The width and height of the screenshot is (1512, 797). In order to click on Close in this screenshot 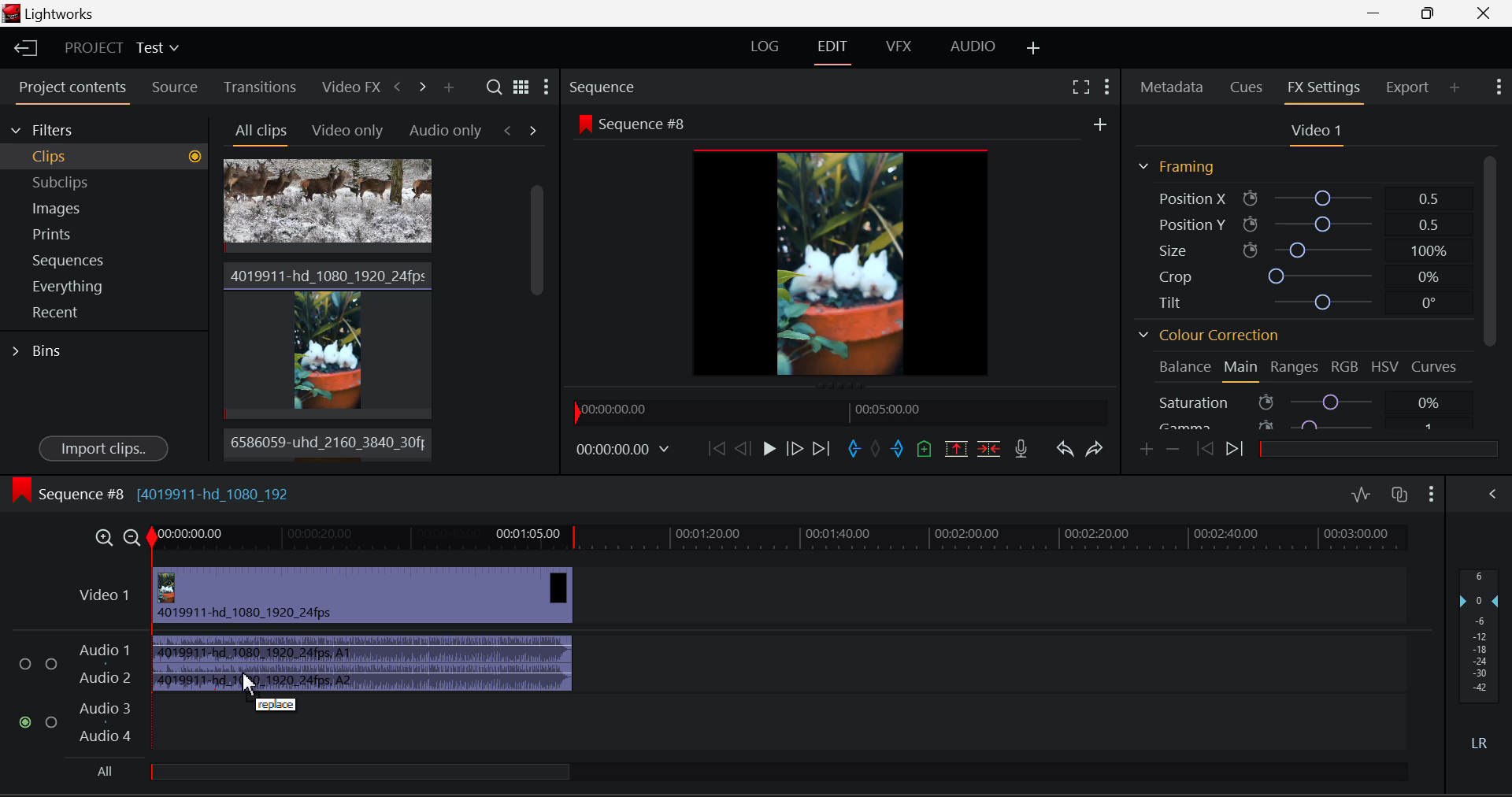, I will do `click(1484, 13)`.